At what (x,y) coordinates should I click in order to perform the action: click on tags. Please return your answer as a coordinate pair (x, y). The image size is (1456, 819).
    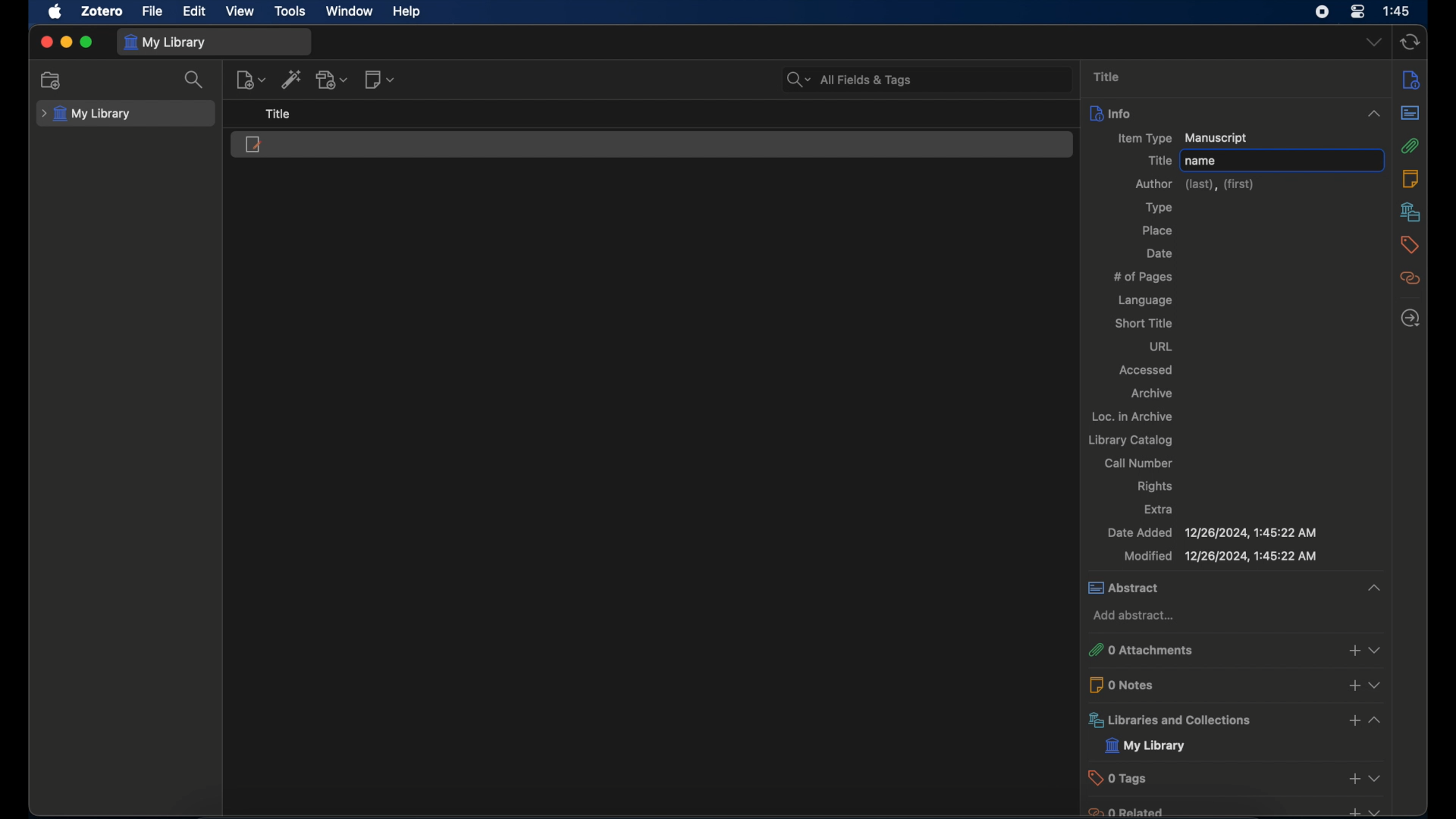
    Looking at the image, I should click on (1410, 245).